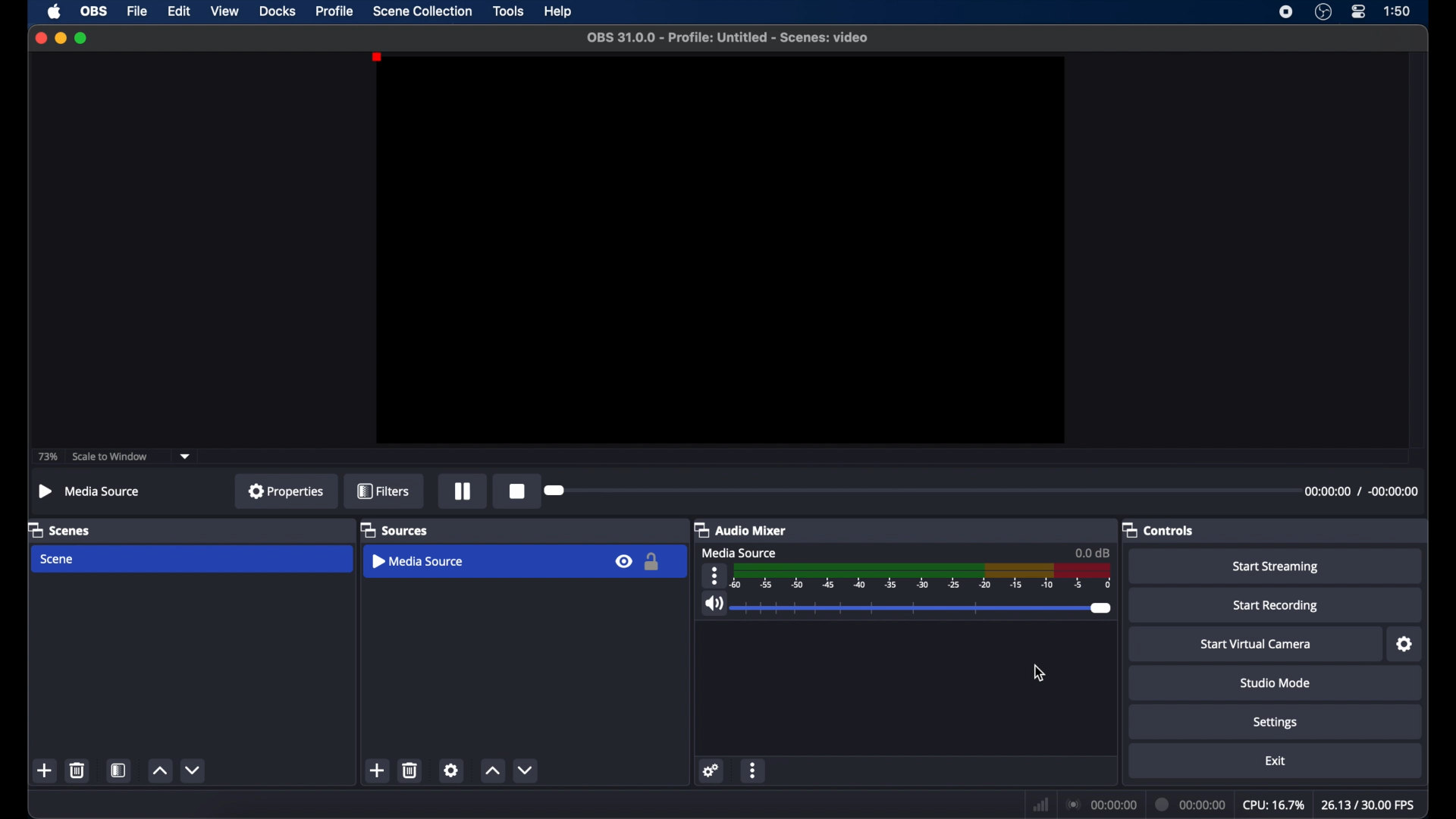 This screenshot has width=1456, height=819. Describe the element at coordinates (1257, 644) in the screenshot. I see `start virtual camera` at that location.